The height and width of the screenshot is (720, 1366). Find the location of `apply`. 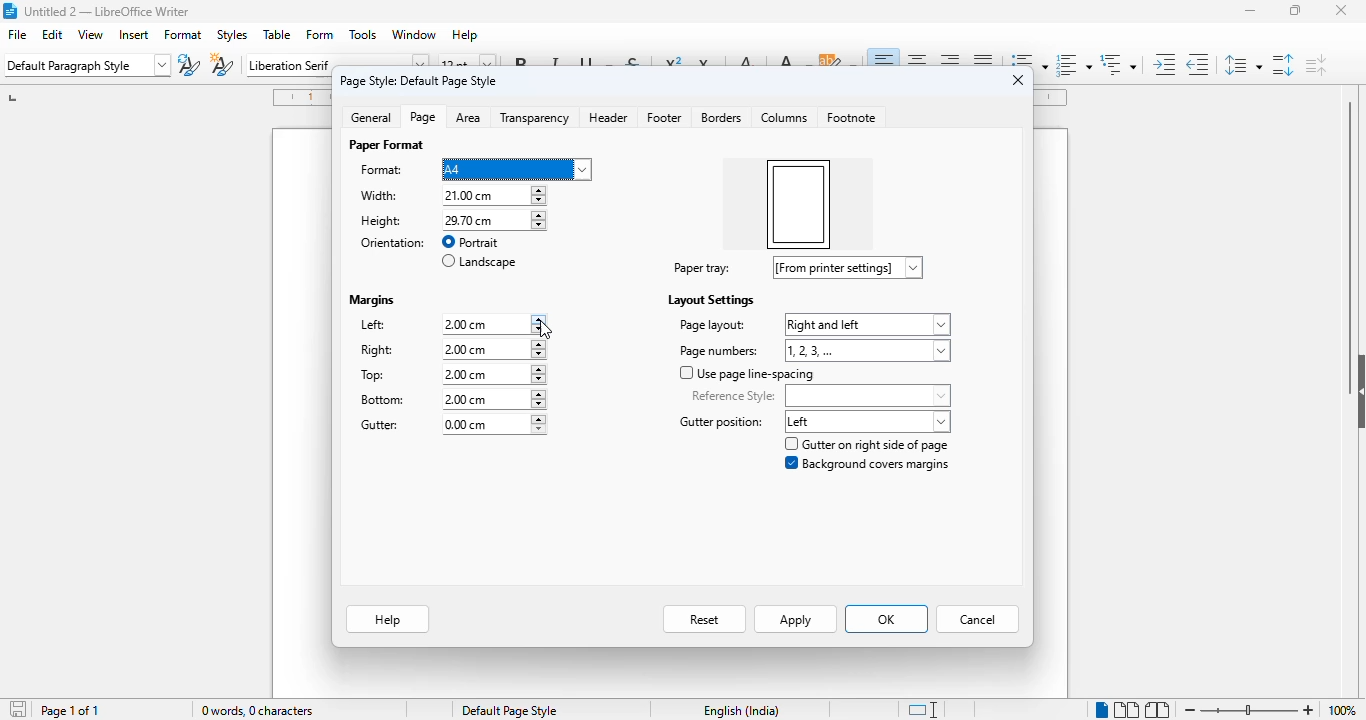

apply is located at coordinates (794, 619).